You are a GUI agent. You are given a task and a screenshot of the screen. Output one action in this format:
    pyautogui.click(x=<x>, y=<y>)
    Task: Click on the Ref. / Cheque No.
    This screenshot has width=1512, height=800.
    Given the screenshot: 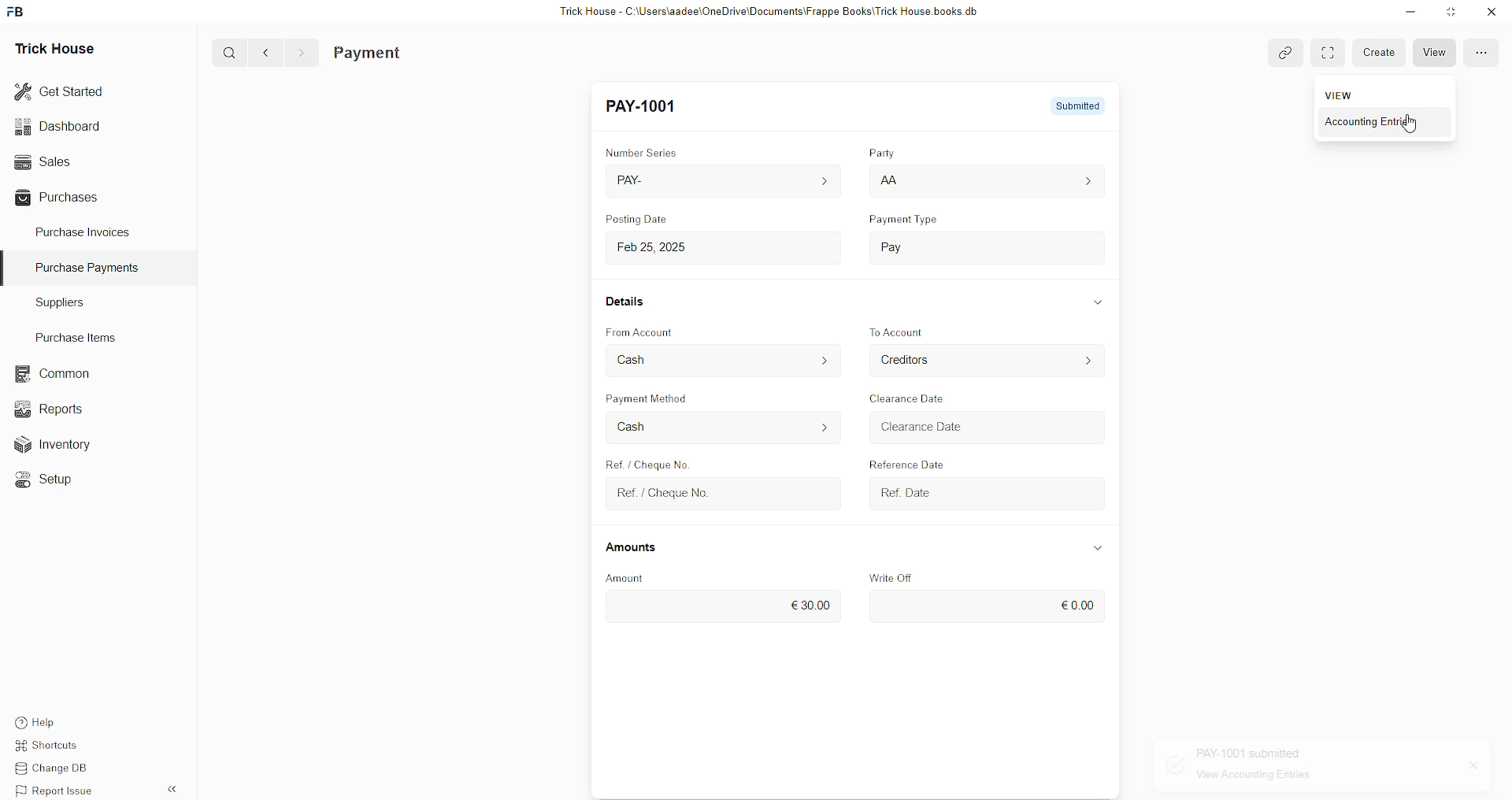 What is the action you would take?
    pyautogui.click(x=678, y=494)
    